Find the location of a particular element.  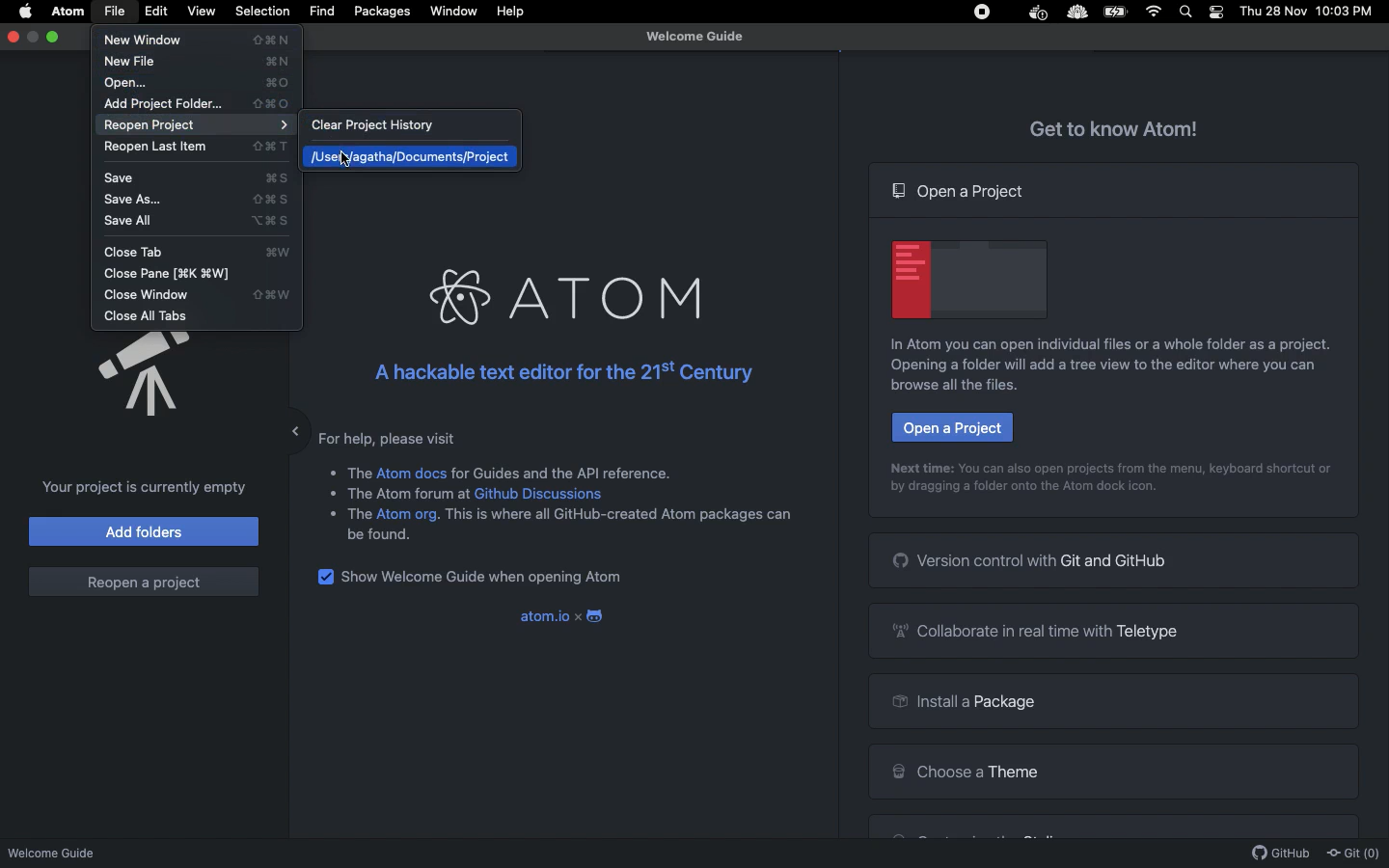

Descriptive Text is located at coordinates (567, 471).